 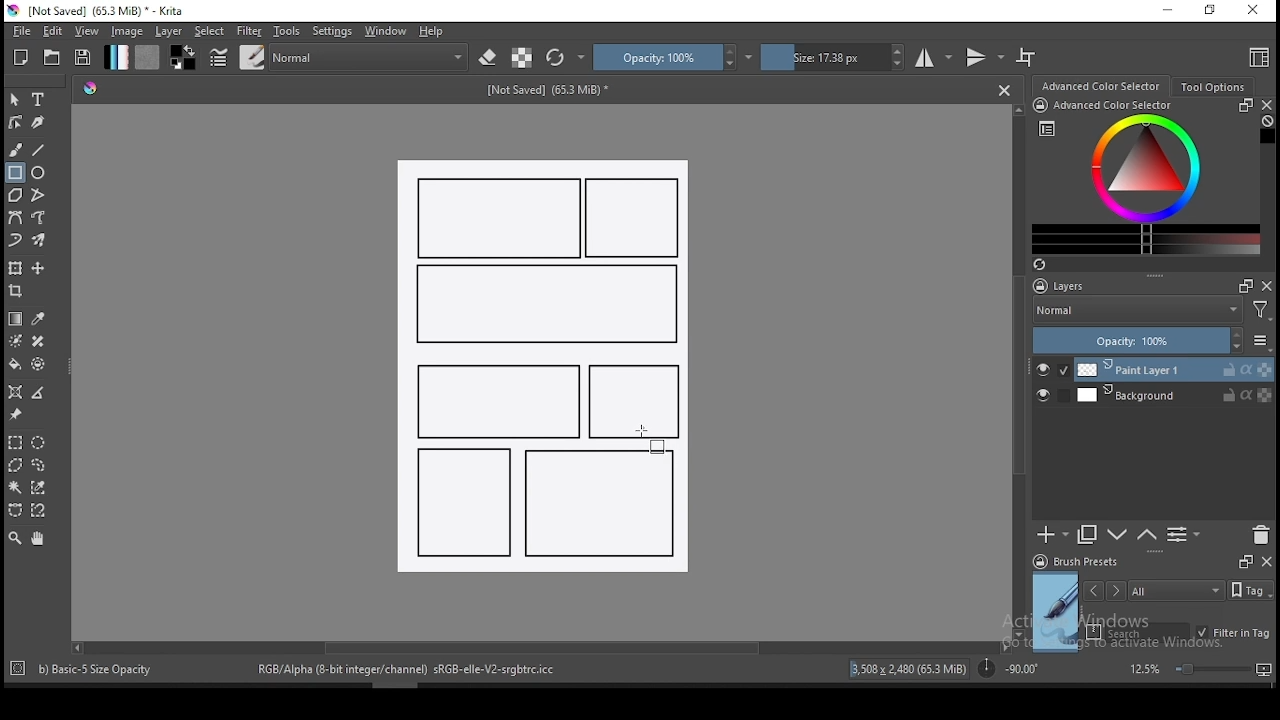 I want to click on layer, so click(x=1174, y=395).